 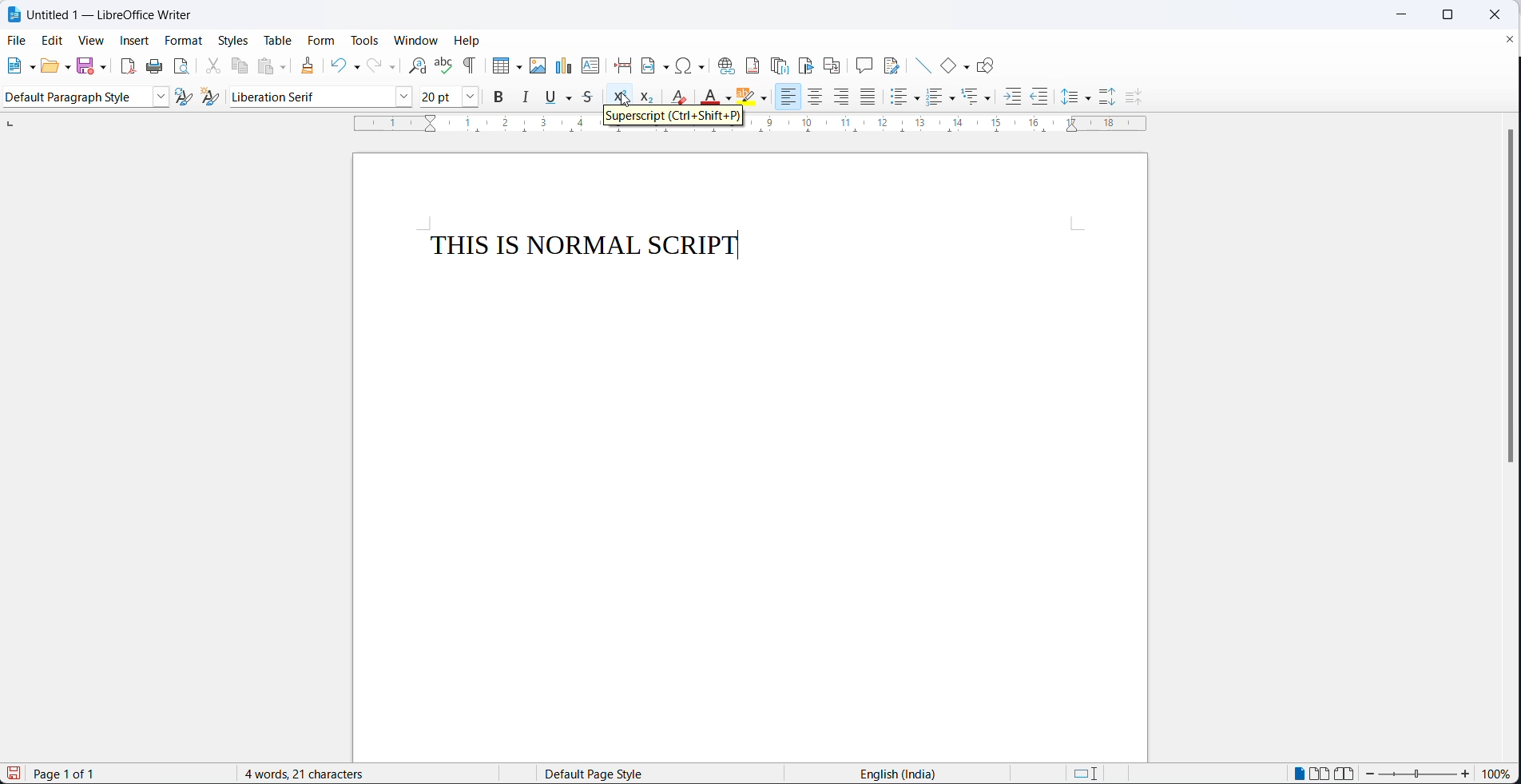 What do you see at coordinates (653, 774) in the screenshot?
I see `page style` at bounding box center [653, 774].